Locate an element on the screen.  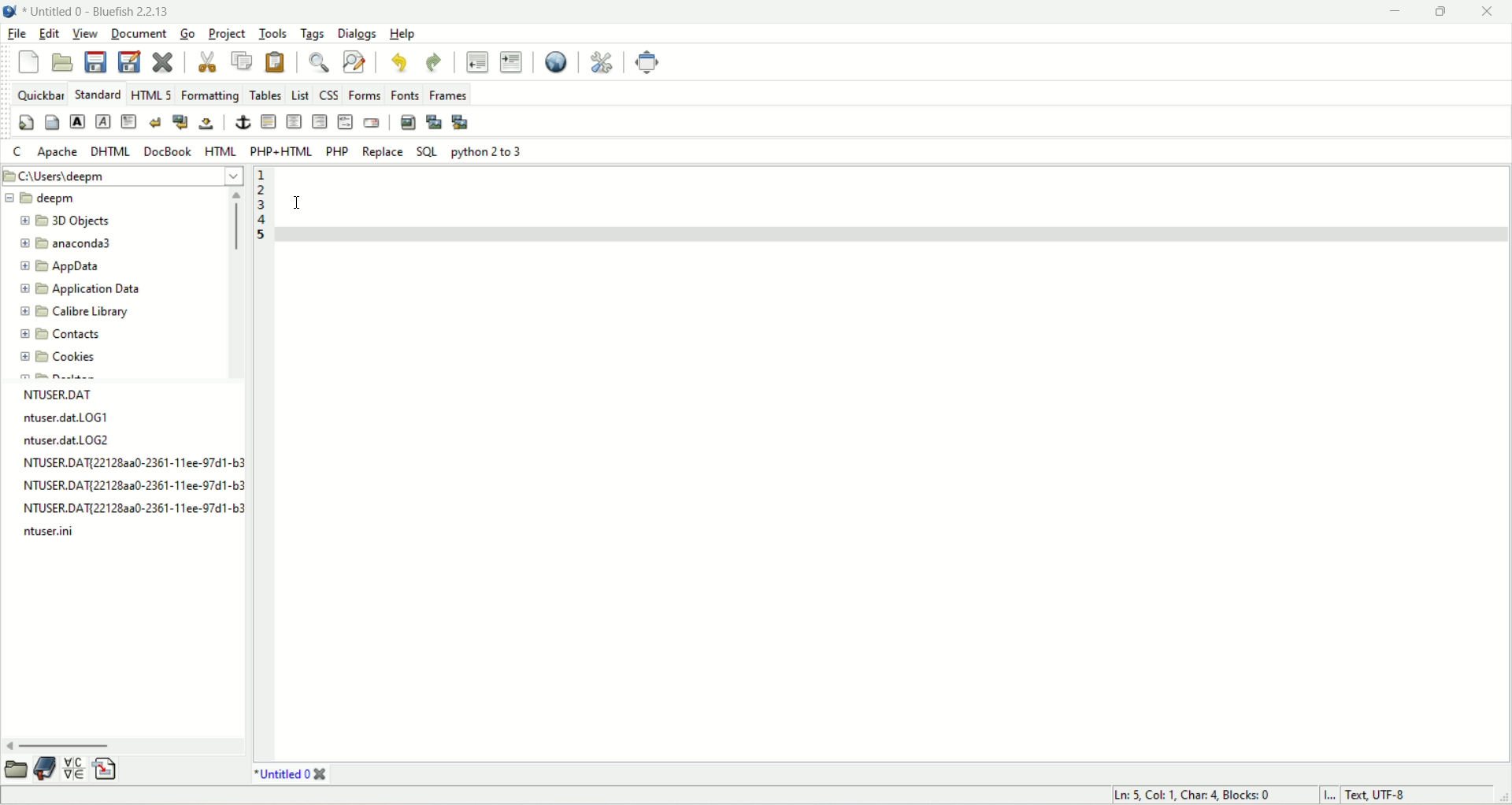
insert special character is located at coordinates (75, 769).